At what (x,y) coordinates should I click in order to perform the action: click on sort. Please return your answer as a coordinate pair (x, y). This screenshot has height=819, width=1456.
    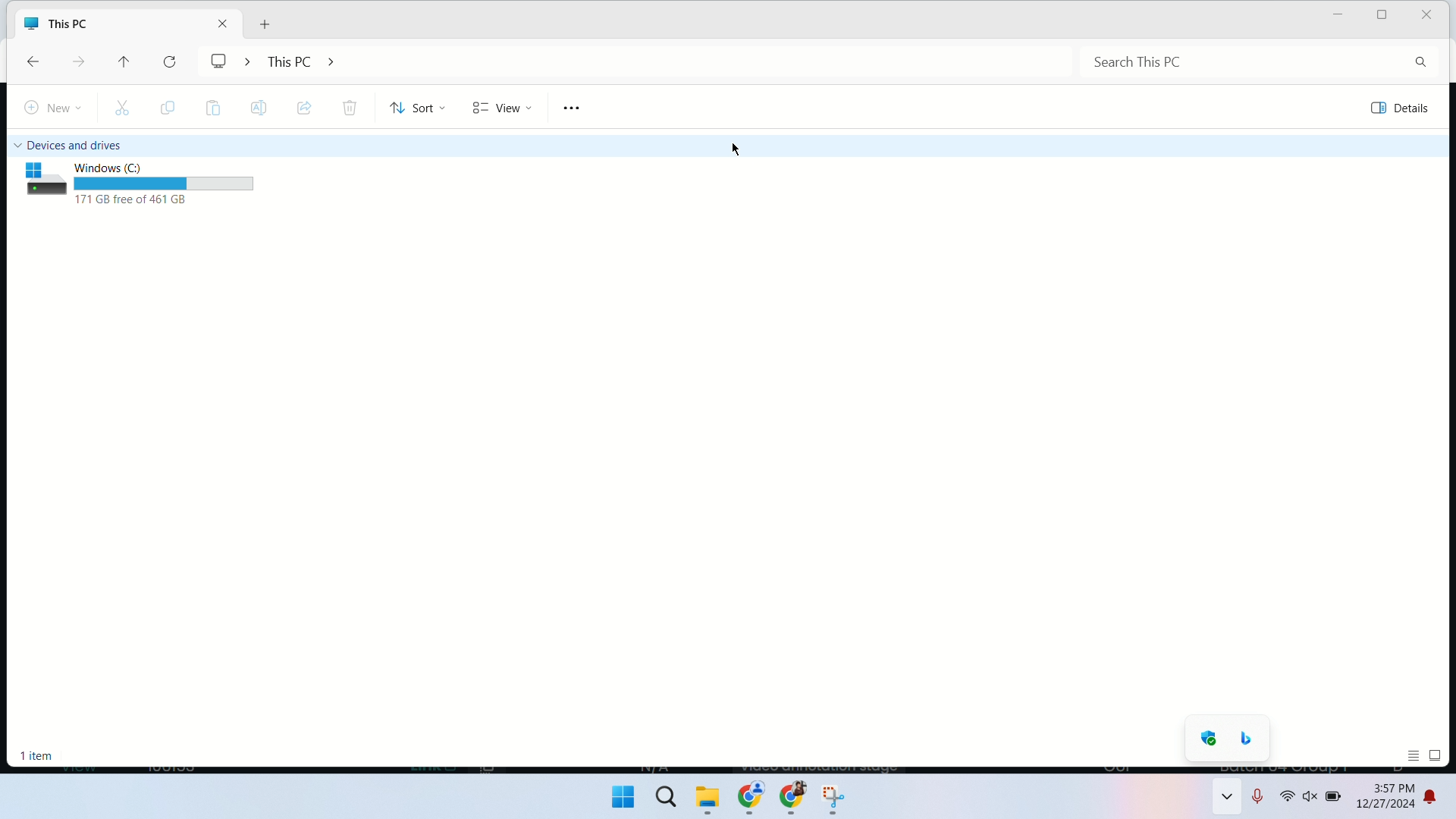
    Looking at the image, I should click on (422, 109).